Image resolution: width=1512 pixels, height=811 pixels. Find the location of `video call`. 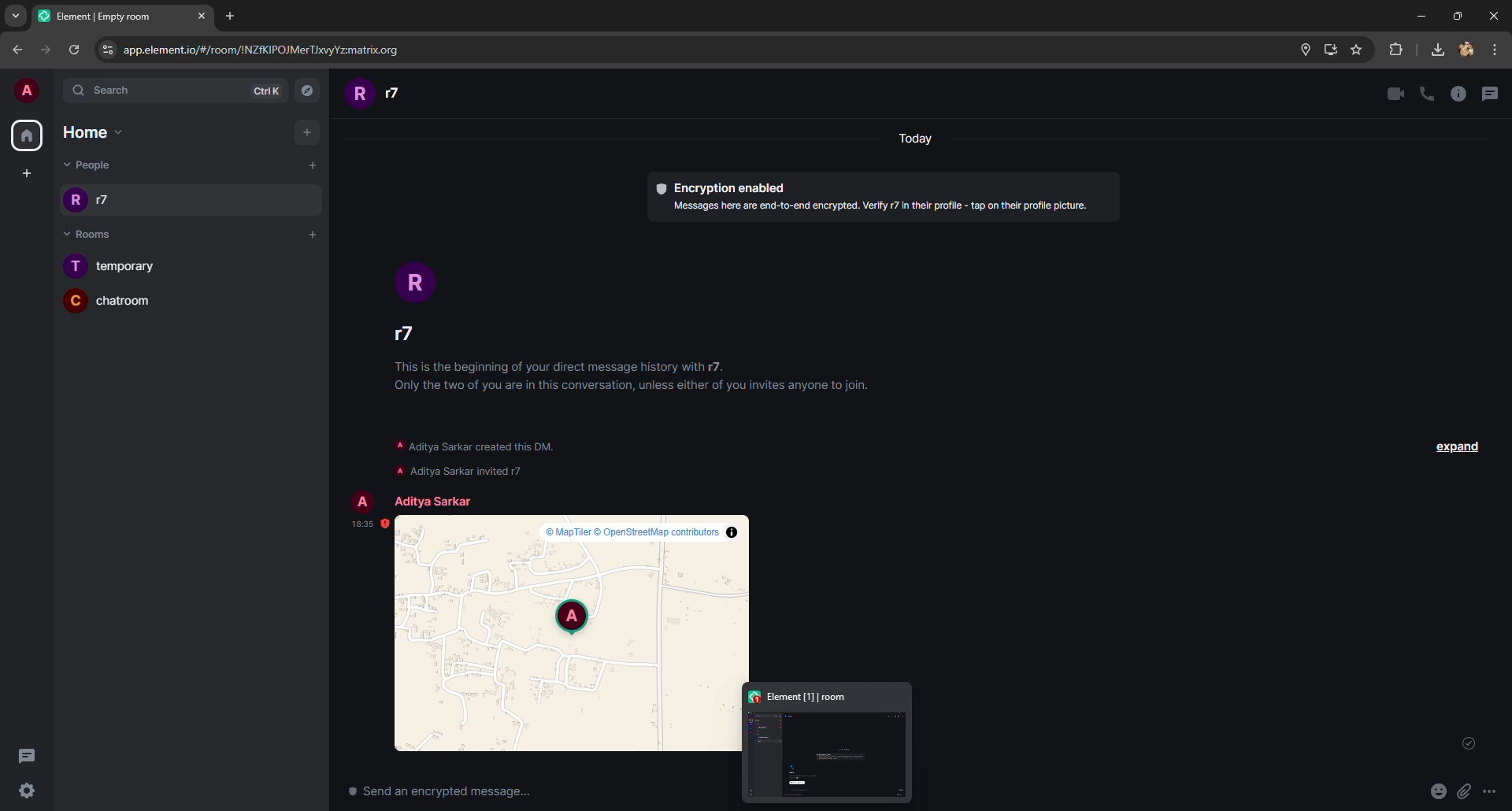

video call is located at coordinates (1396, 95).